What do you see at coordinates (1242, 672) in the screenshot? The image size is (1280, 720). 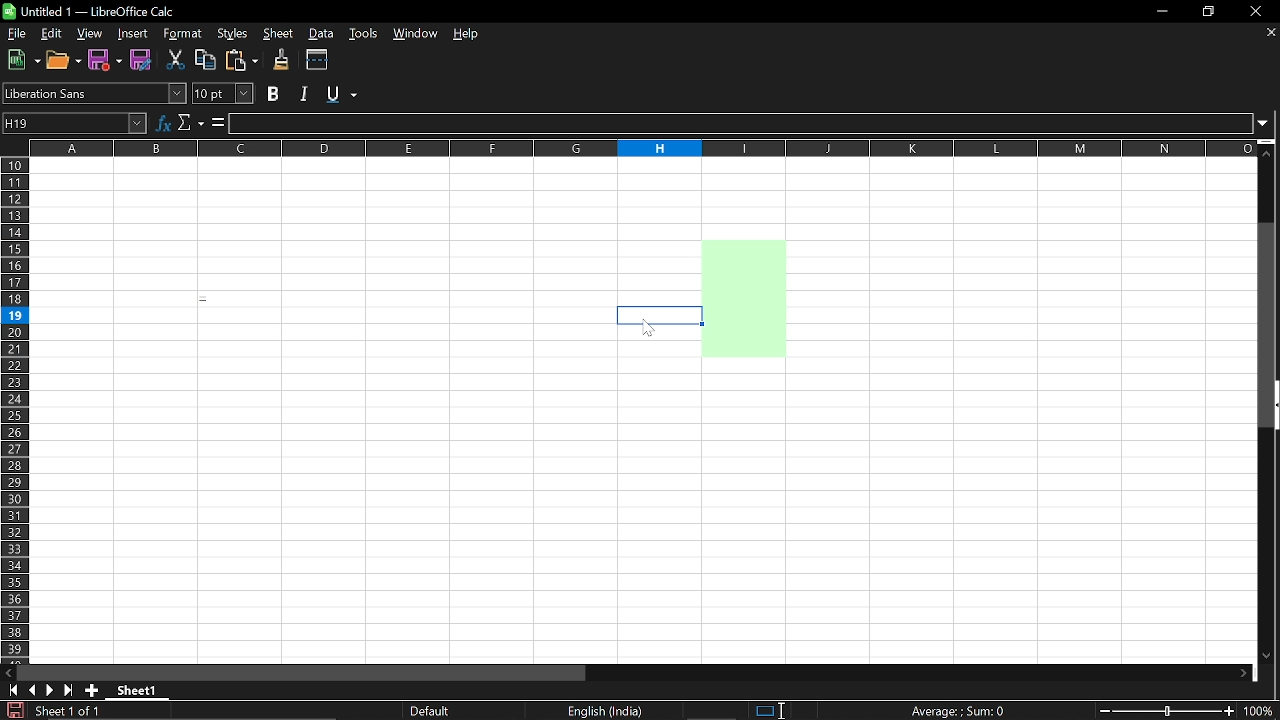 I see `Move down` at bounding box center [1242, 672].